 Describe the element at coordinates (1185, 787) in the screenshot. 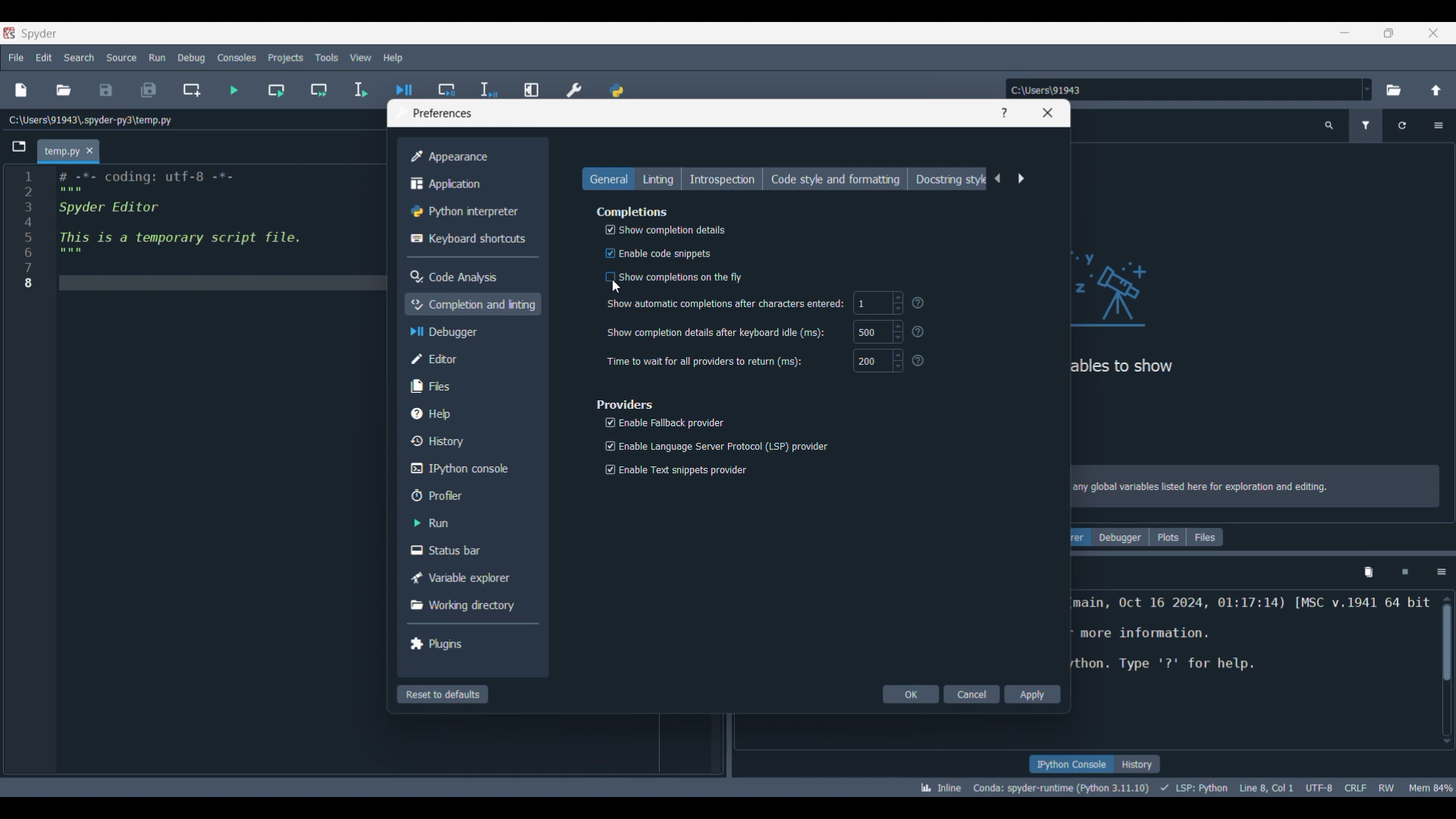

I see `Details of current code` at that location.